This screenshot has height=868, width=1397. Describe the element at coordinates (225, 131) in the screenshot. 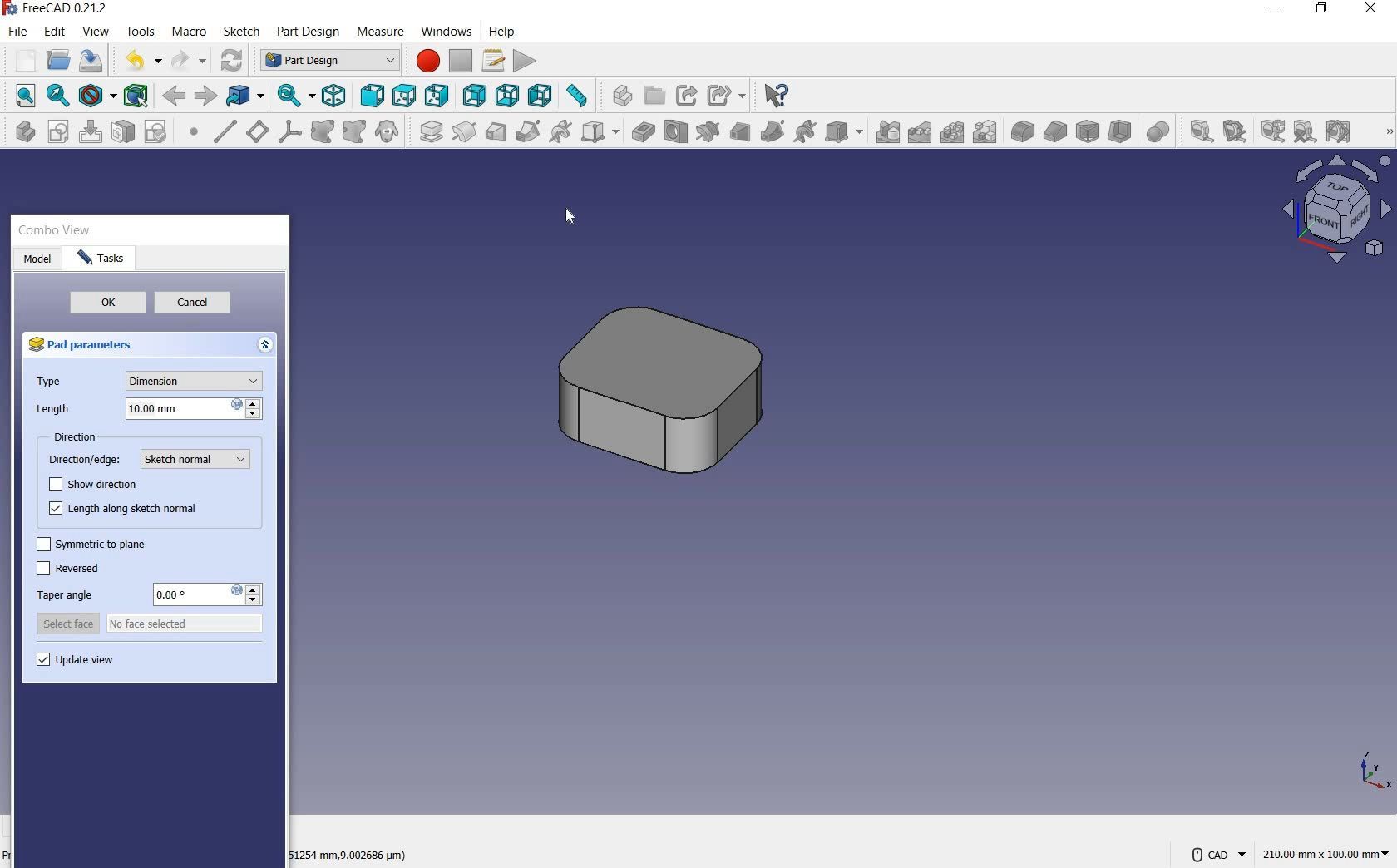

I see `create a datum line` at that location.